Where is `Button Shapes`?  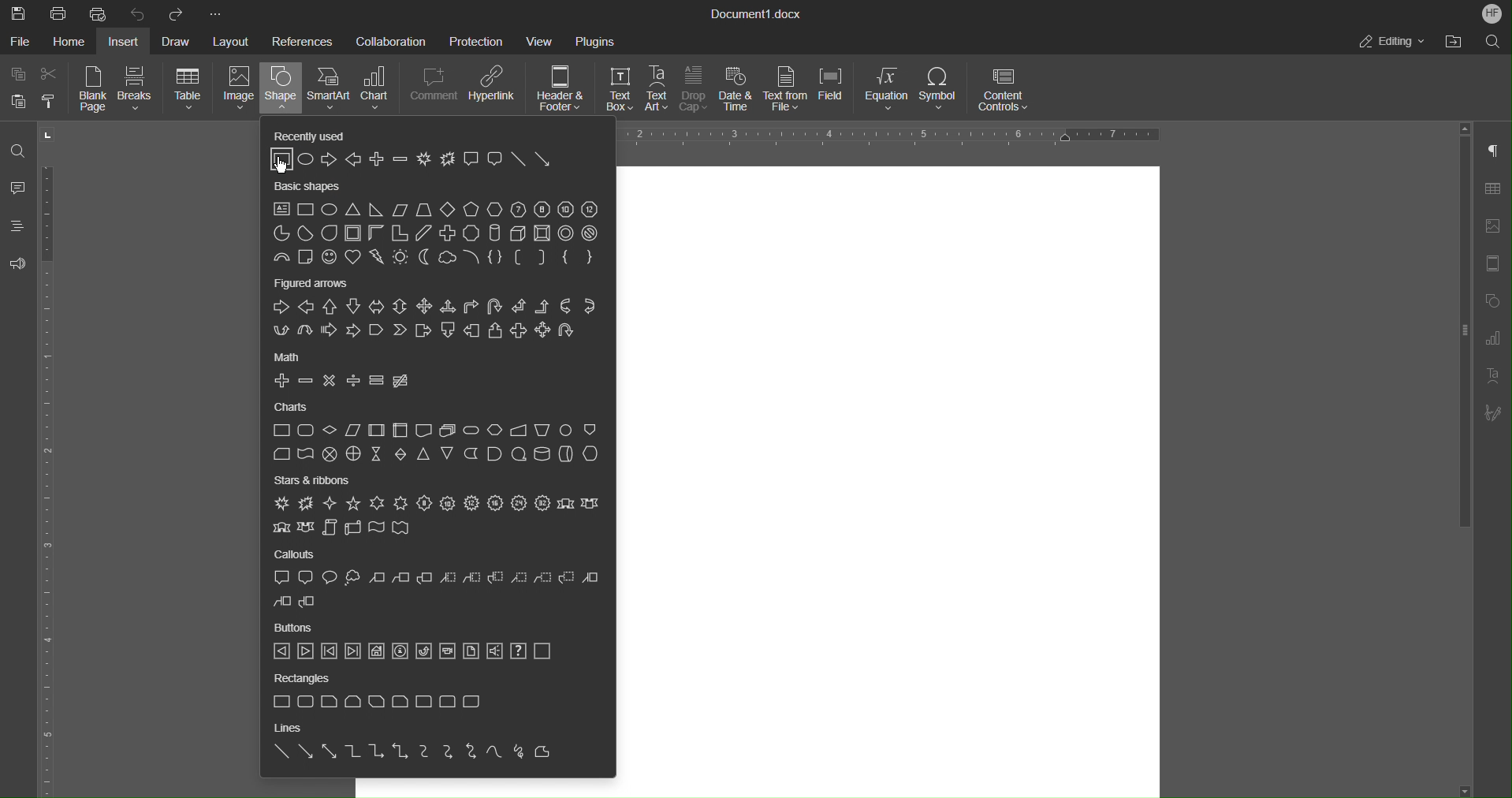 Button Shapes is located at coordinates (415, 652).